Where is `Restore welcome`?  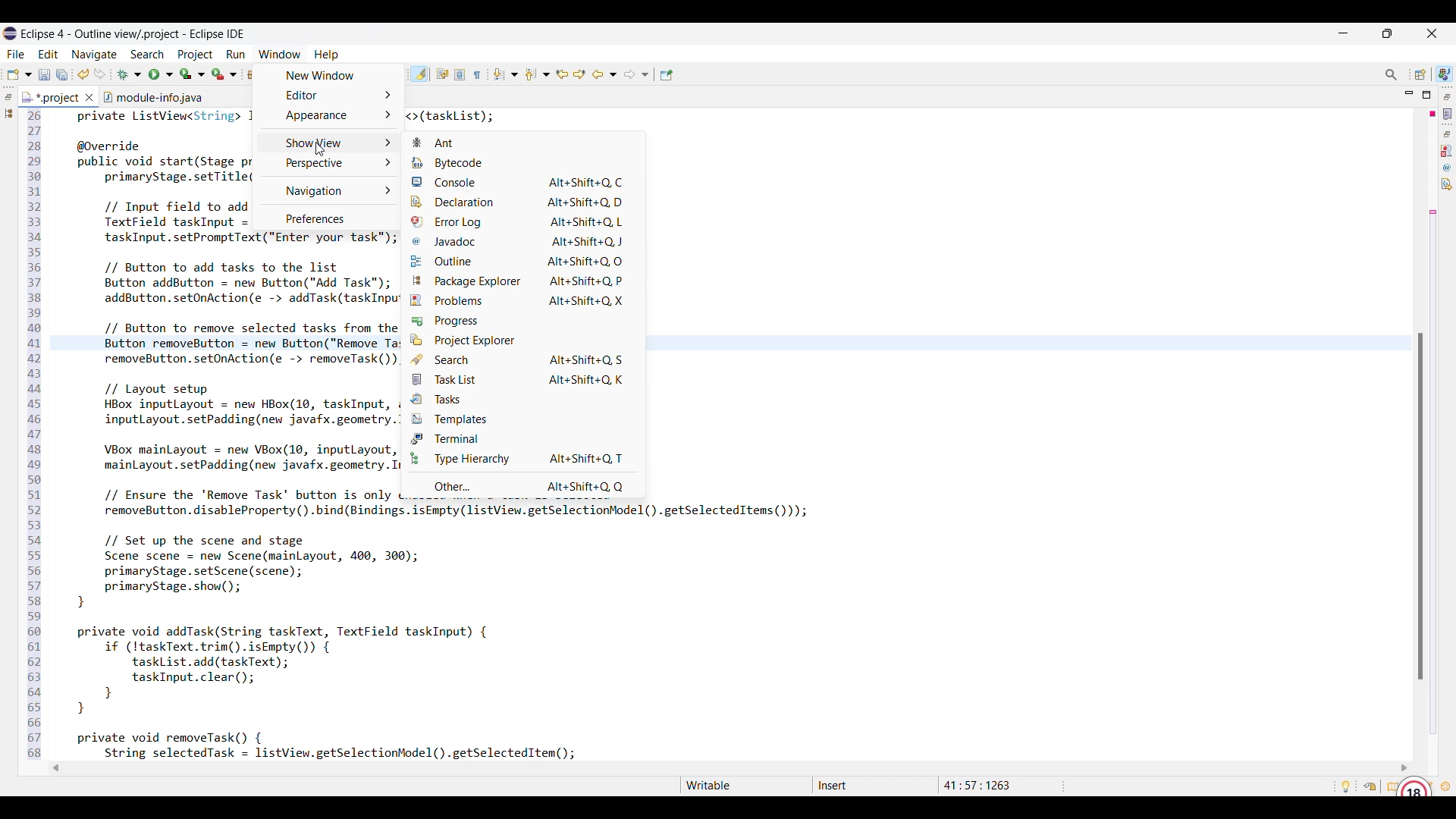
Restore welcome is located at coordinates (1370, 786).